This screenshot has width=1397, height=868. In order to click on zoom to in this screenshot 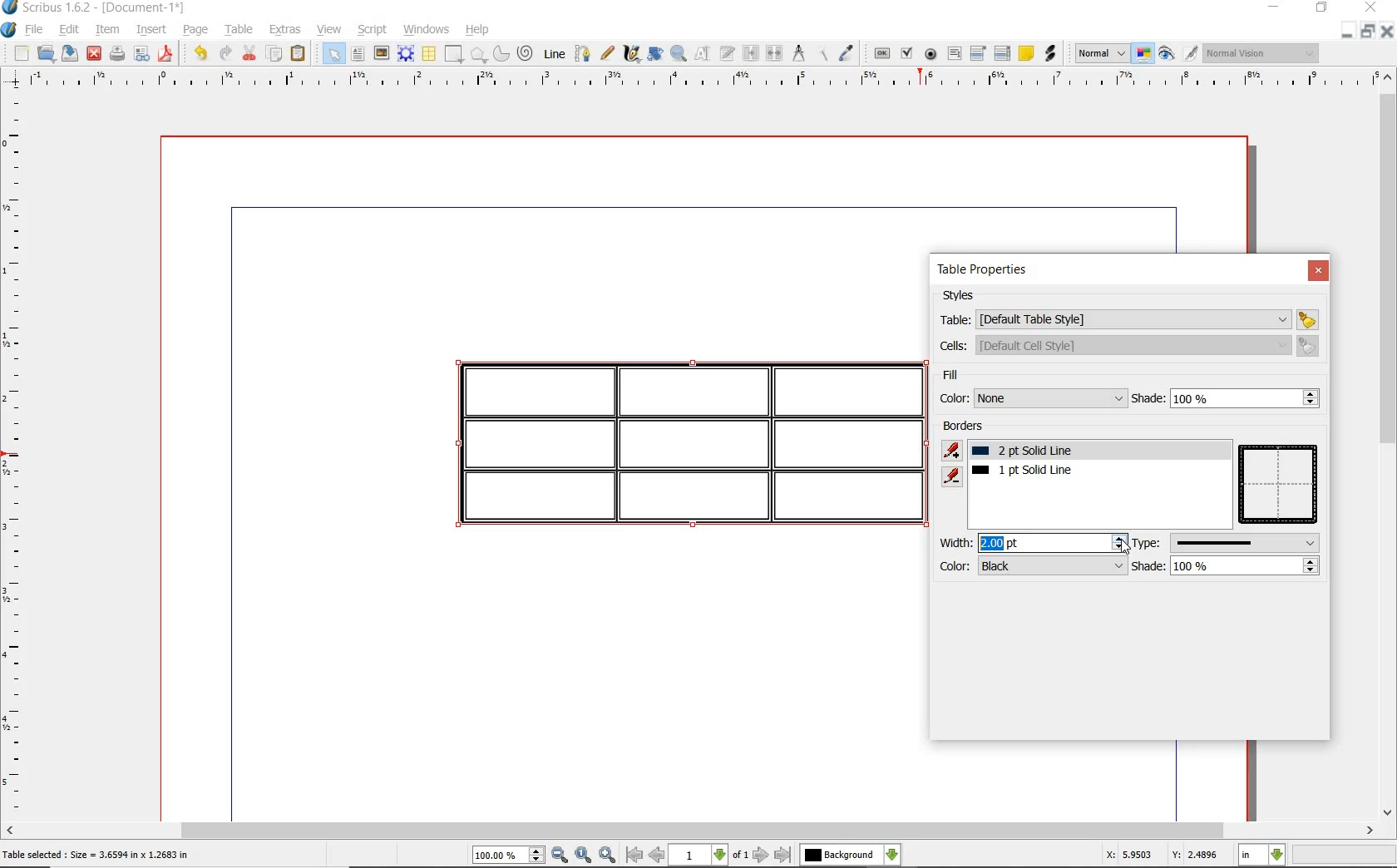, I will do `click(583, 855)`.